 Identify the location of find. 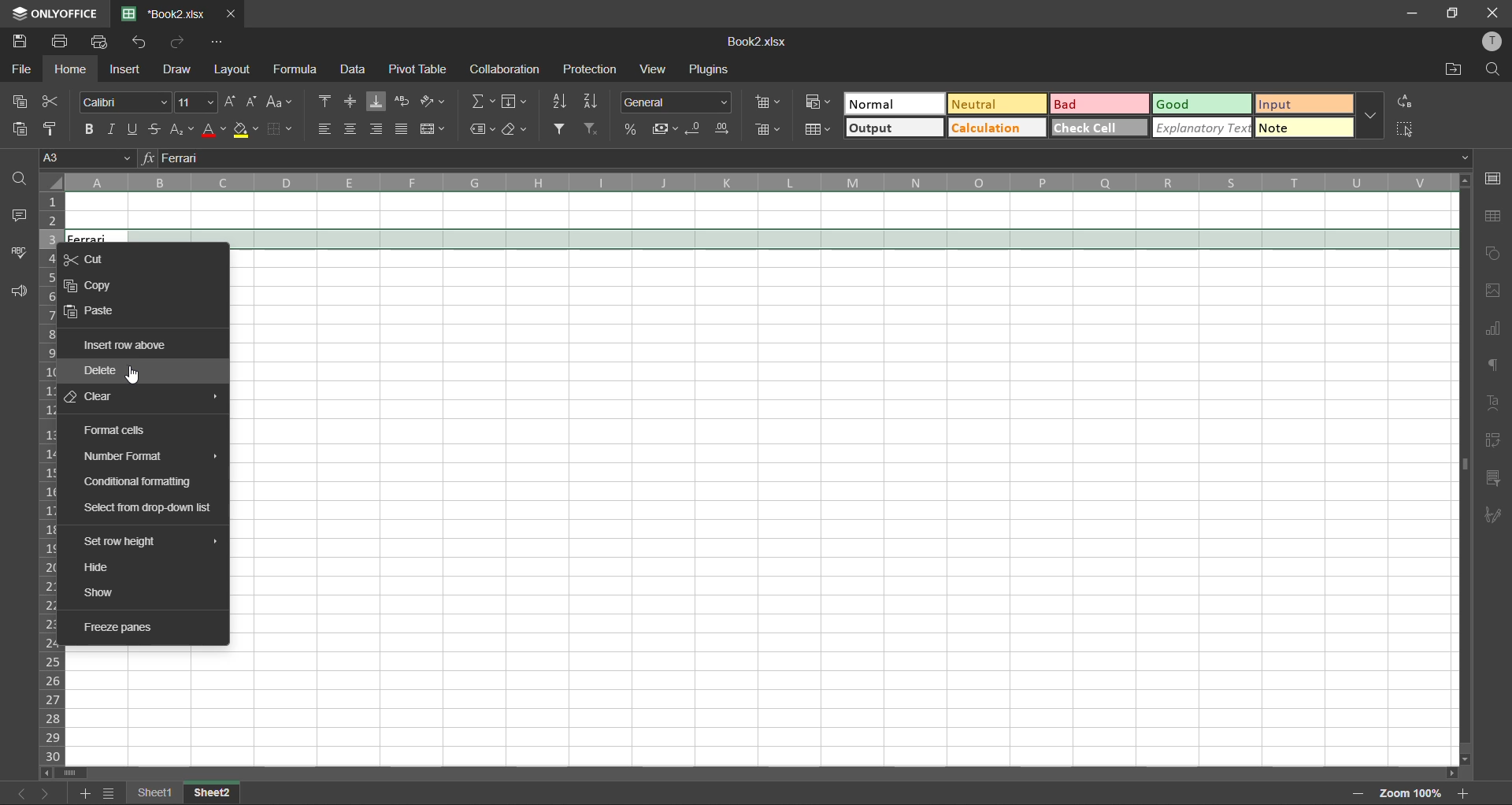
(1489, 69).